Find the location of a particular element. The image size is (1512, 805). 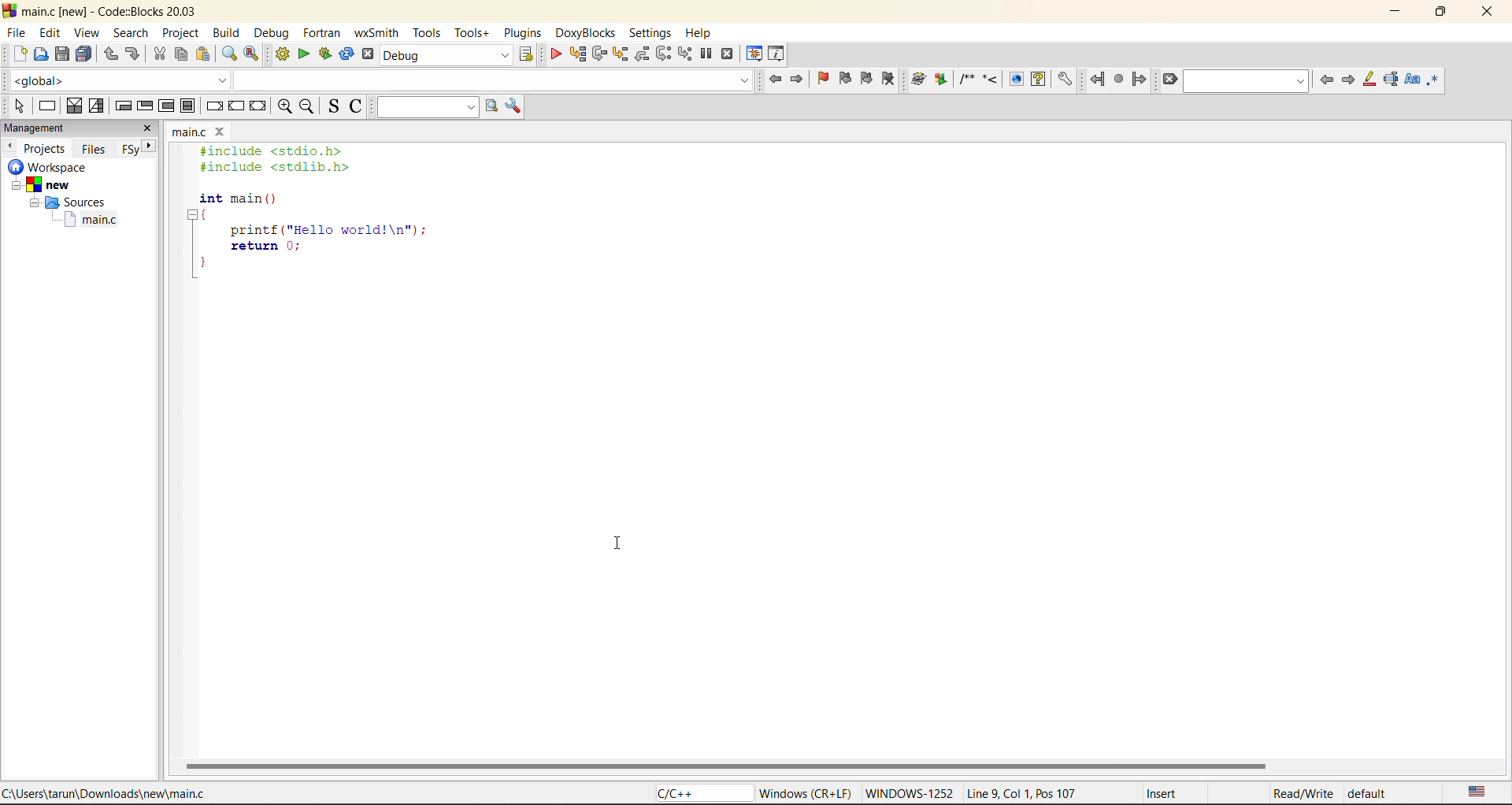

build target is located at coordinates (447, 56).